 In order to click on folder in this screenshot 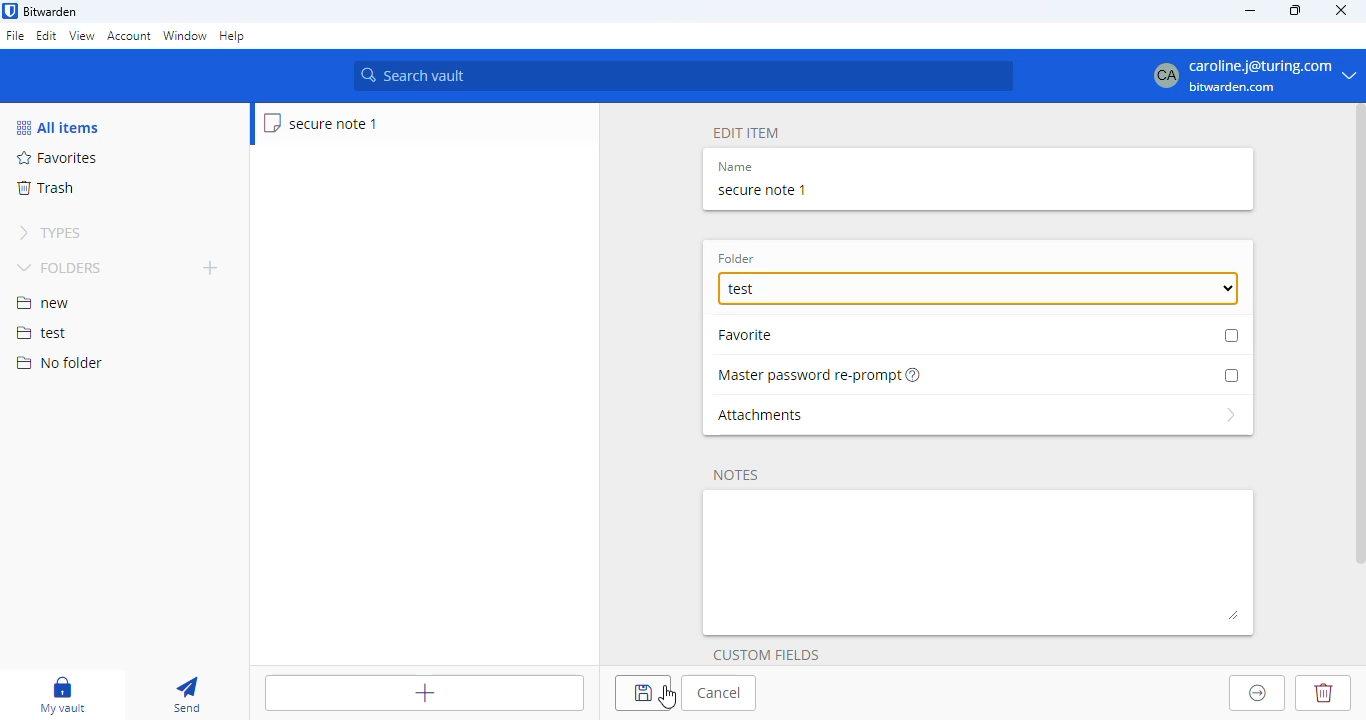, I will do `click(736, 259)`.